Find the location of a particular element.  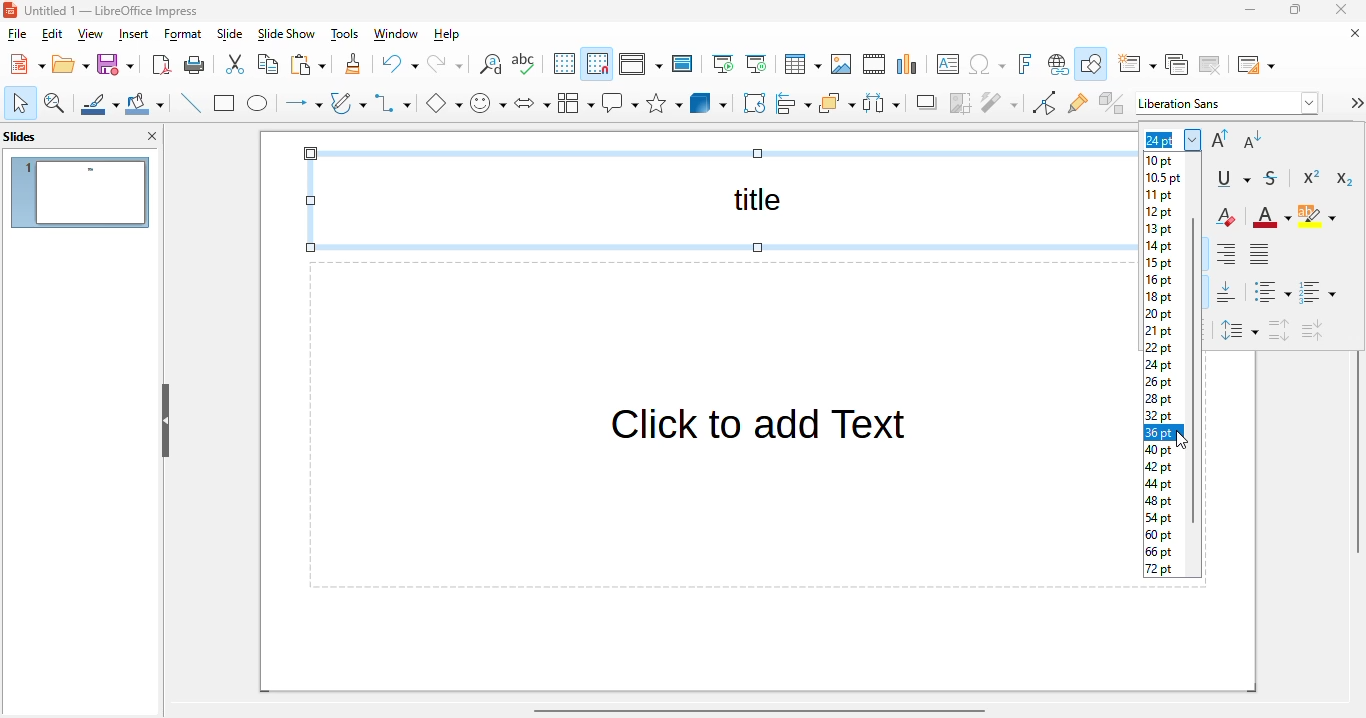

open is located at coordinates (71, 64).